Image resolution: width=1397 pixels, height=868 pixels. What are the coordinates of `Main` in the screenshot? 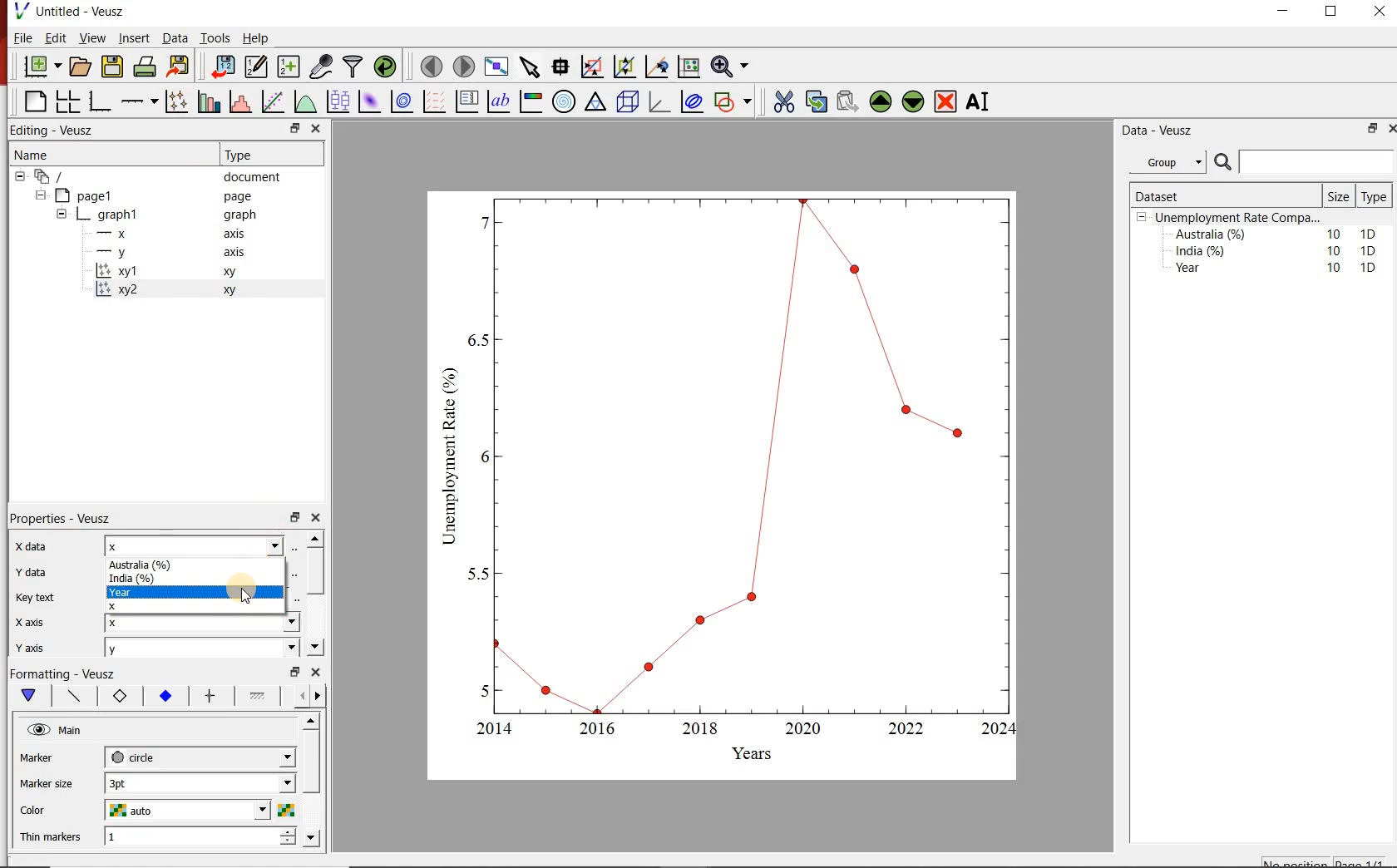 It's located at (72, 731).